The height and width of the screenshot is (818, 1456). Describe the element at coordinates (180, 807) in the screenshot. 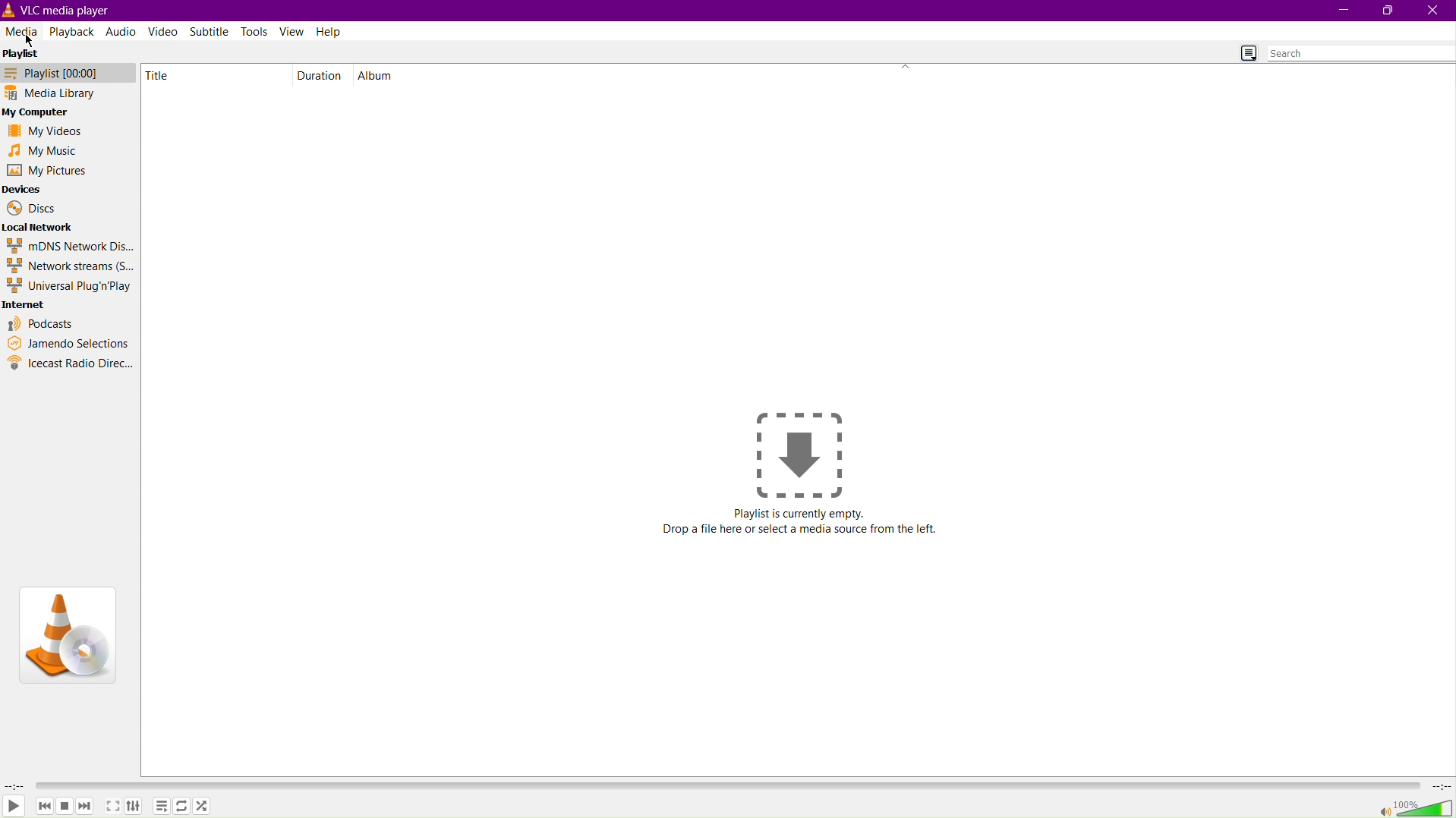

I see `Toggle Loop` at that location.